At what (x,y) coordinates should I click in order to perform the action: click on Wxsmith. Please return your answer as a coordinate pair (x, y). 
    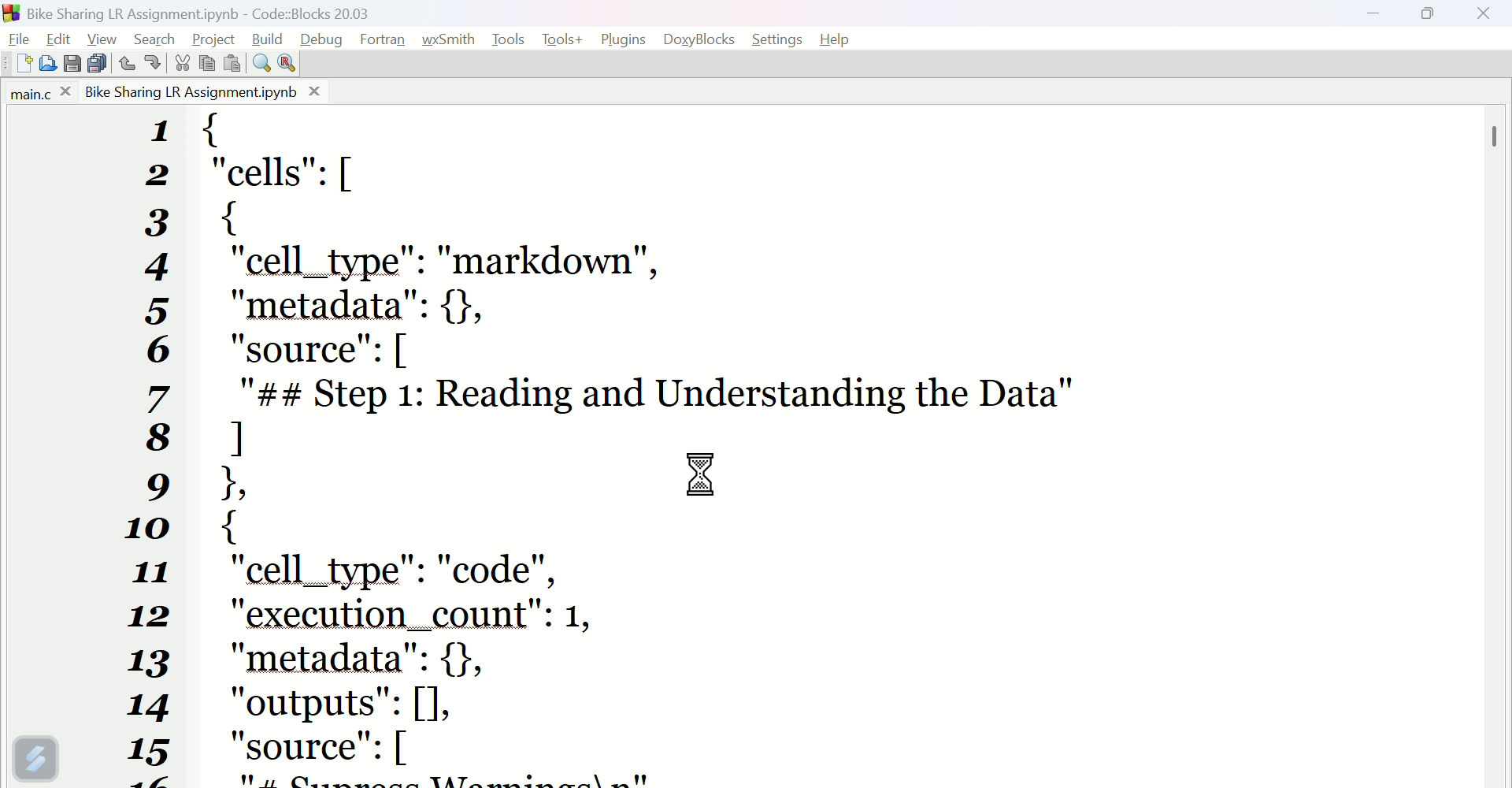
    Looking at the image, I should click on (449, 39).